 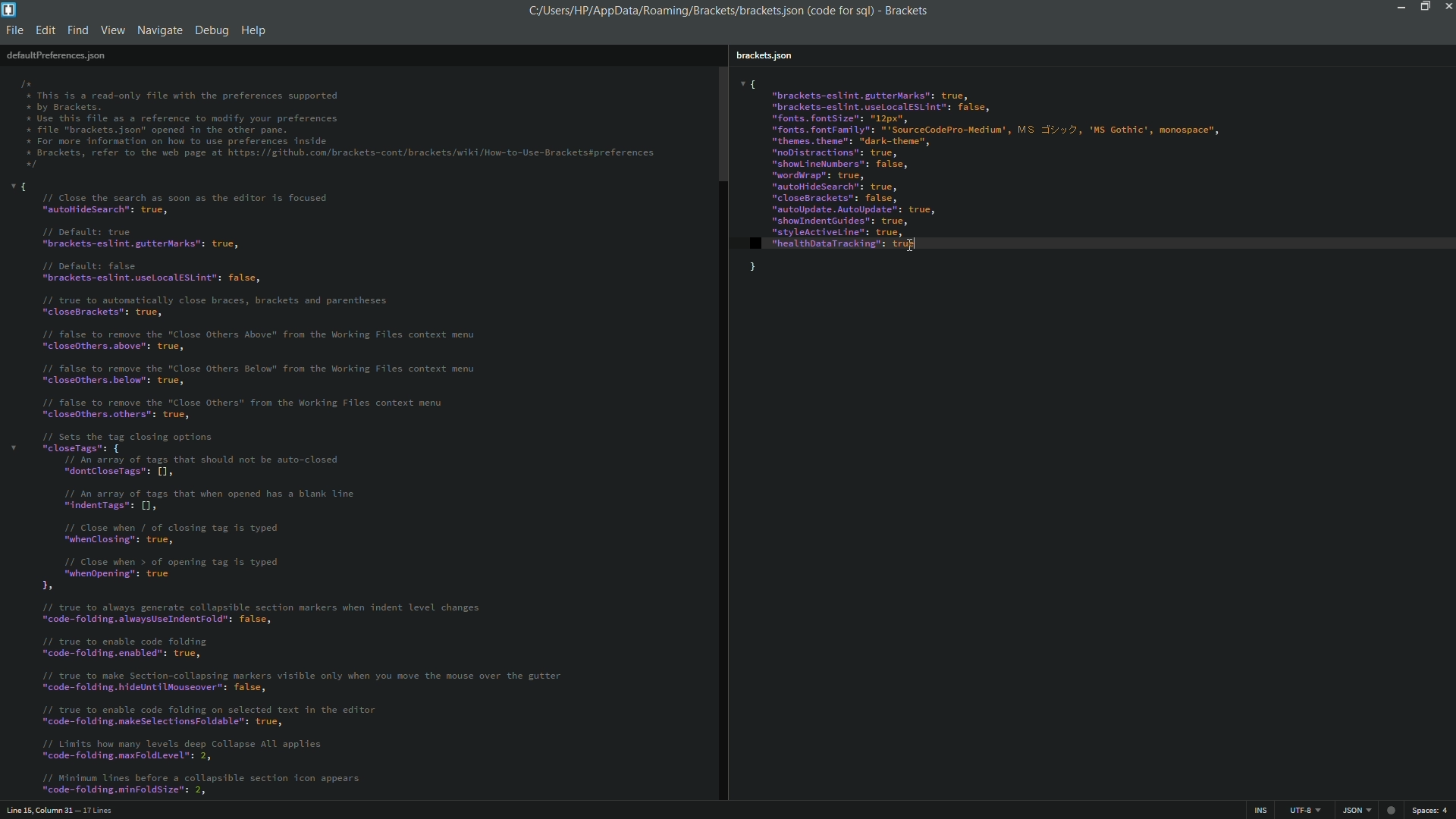 I want to click on Brackets, so click(x=904, y=11).